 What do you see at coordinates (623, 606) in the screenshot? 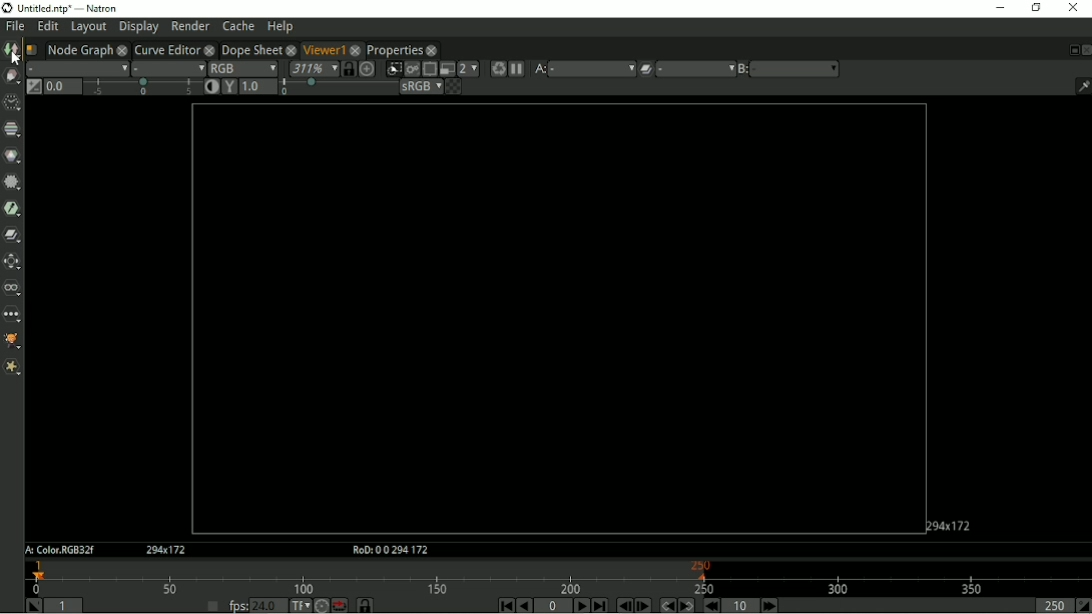
I see `Previous frame` at bounding box center [623, 606].